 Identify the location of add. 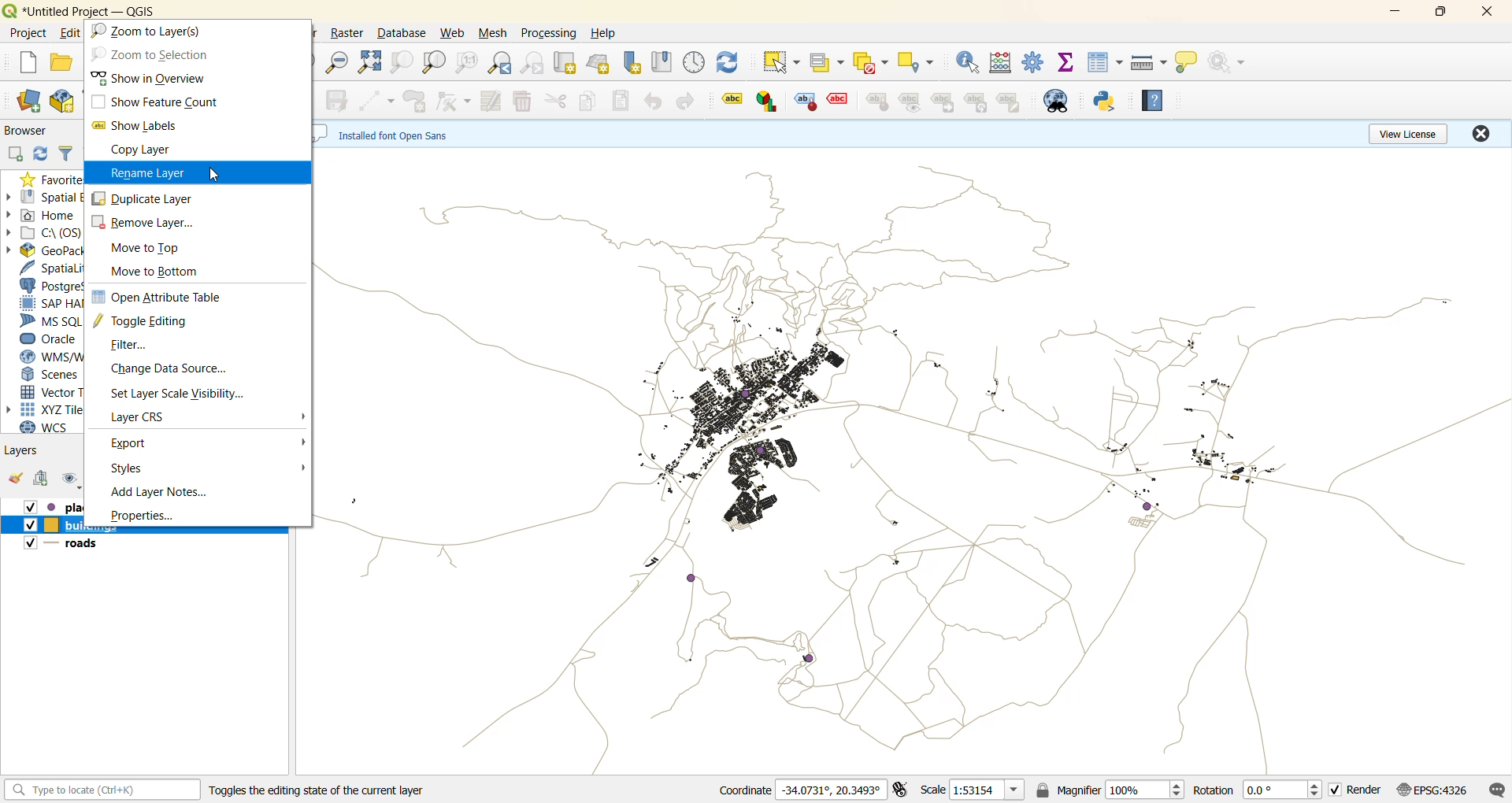
(45, 480).